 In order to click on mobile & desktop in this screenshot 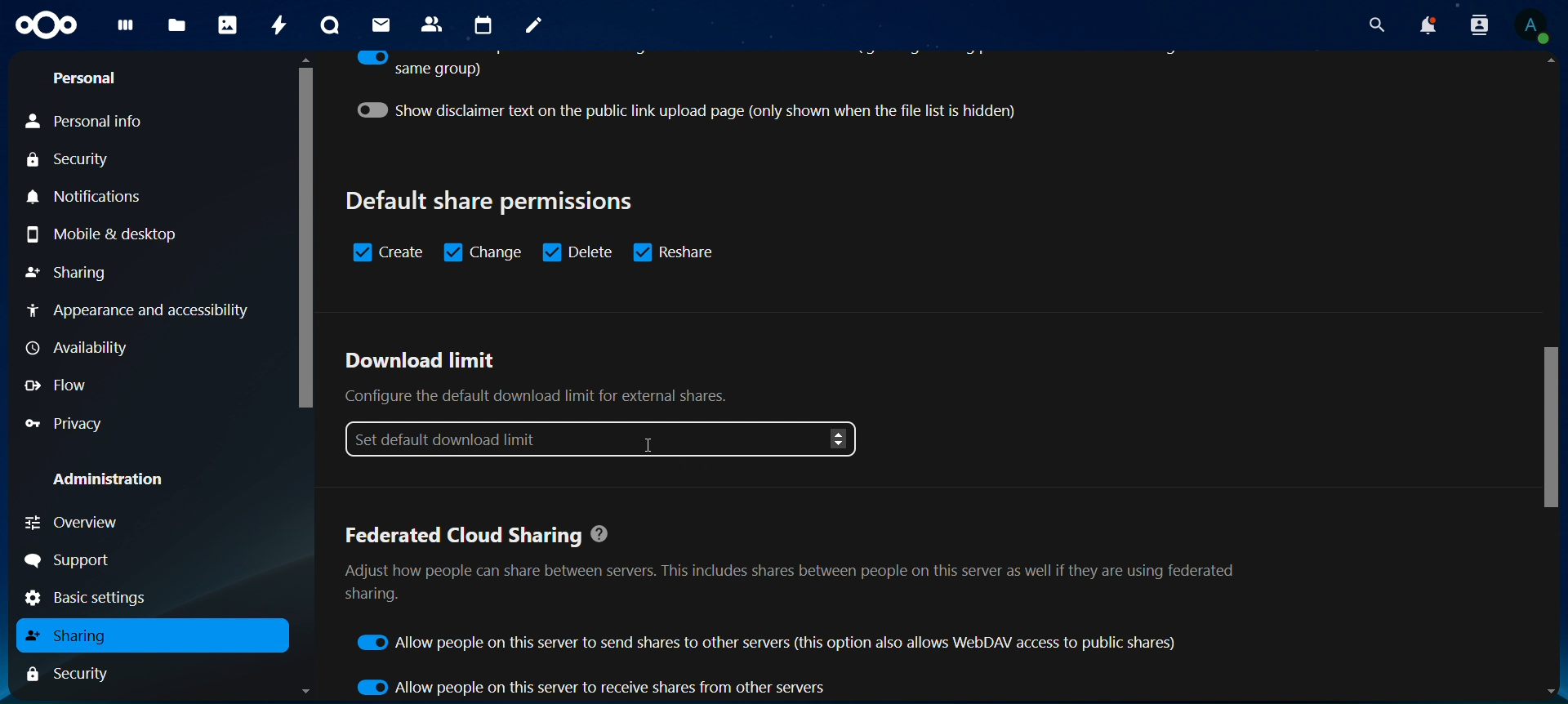, I will do `click(99, 234)`.